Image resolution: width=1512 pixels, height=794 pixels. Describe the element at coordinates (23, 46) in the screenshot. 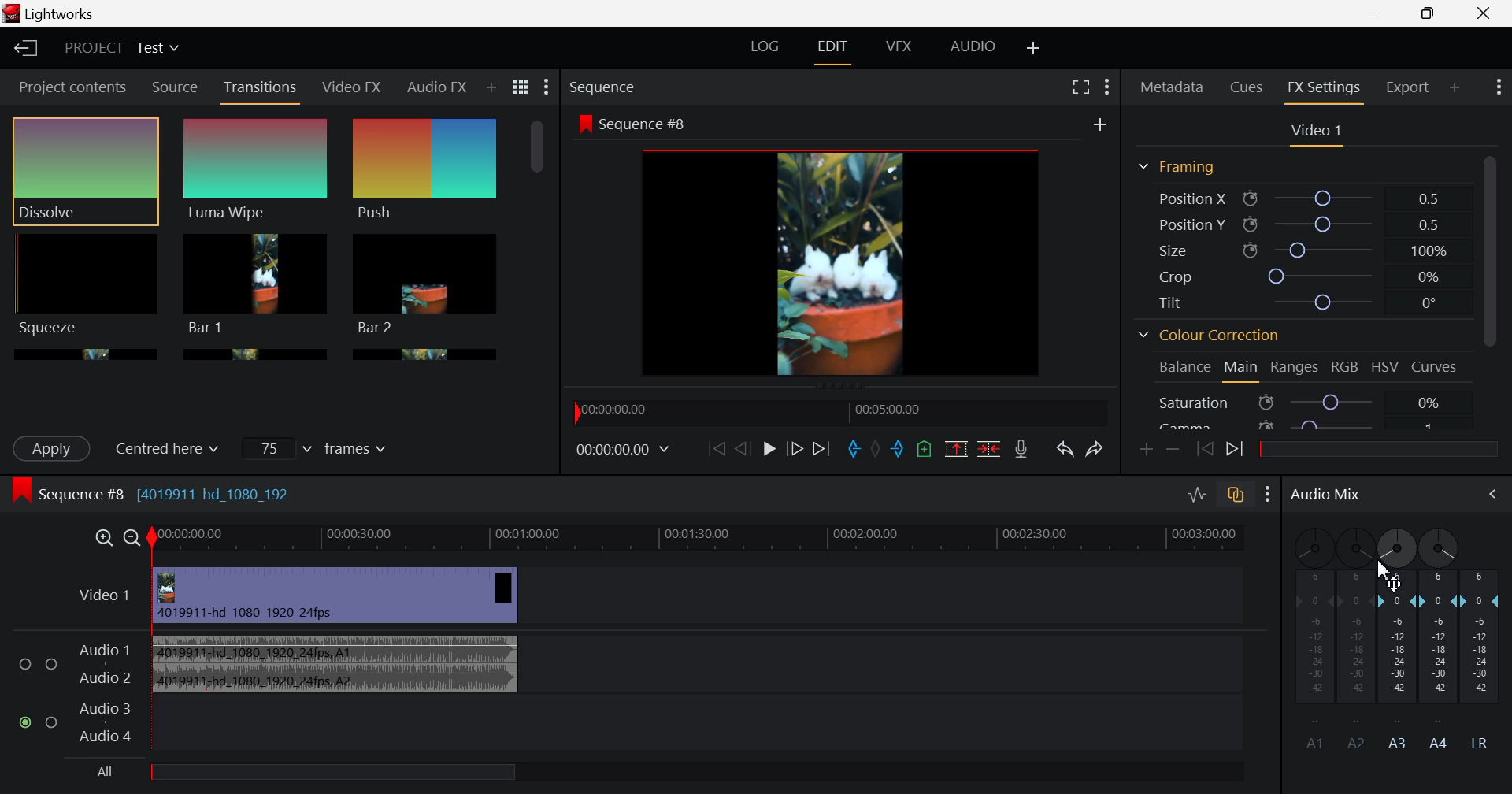

I see `Back to Homepage` at that location.